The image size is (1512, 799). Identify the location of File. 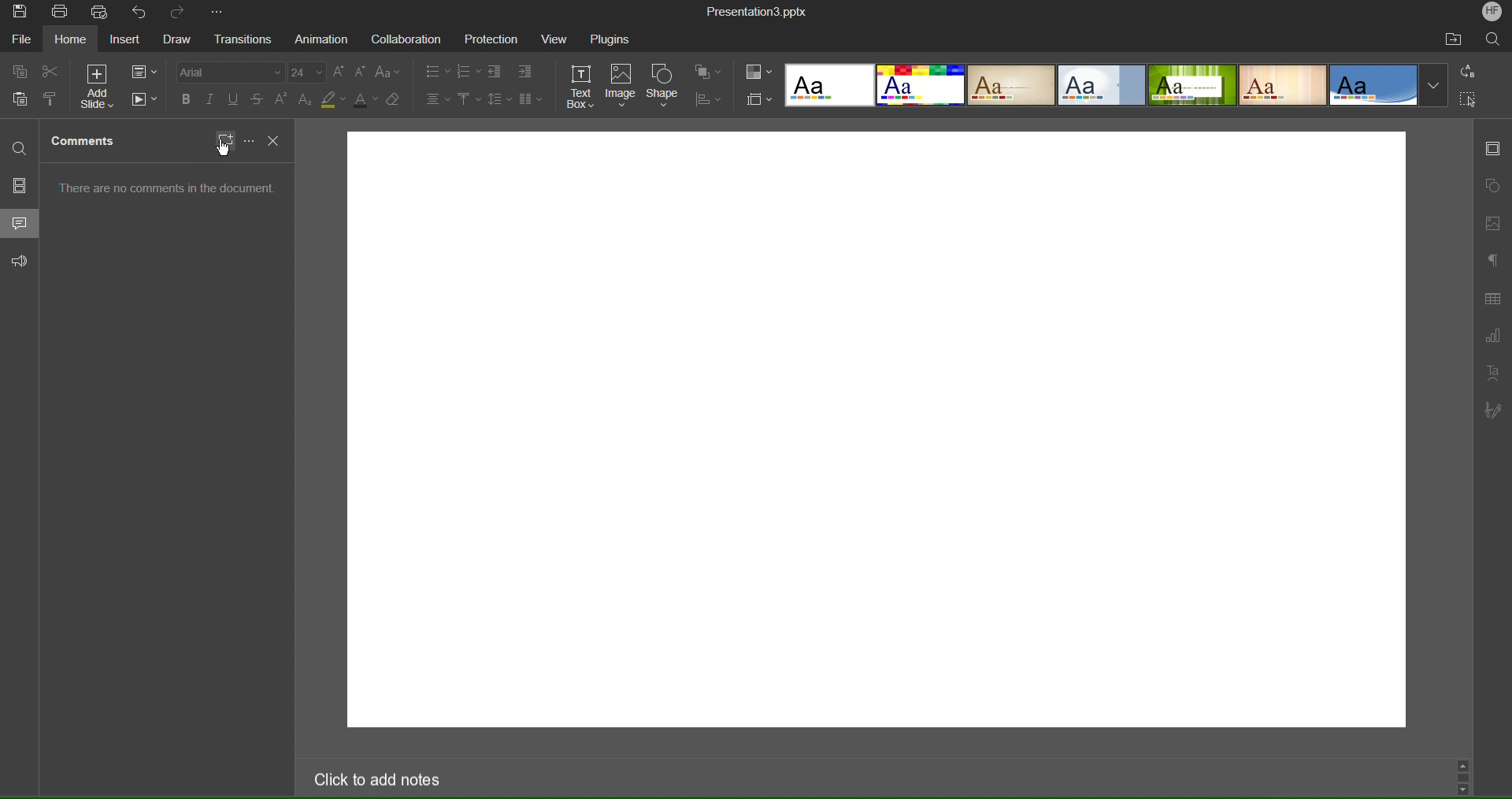
(20, 40).